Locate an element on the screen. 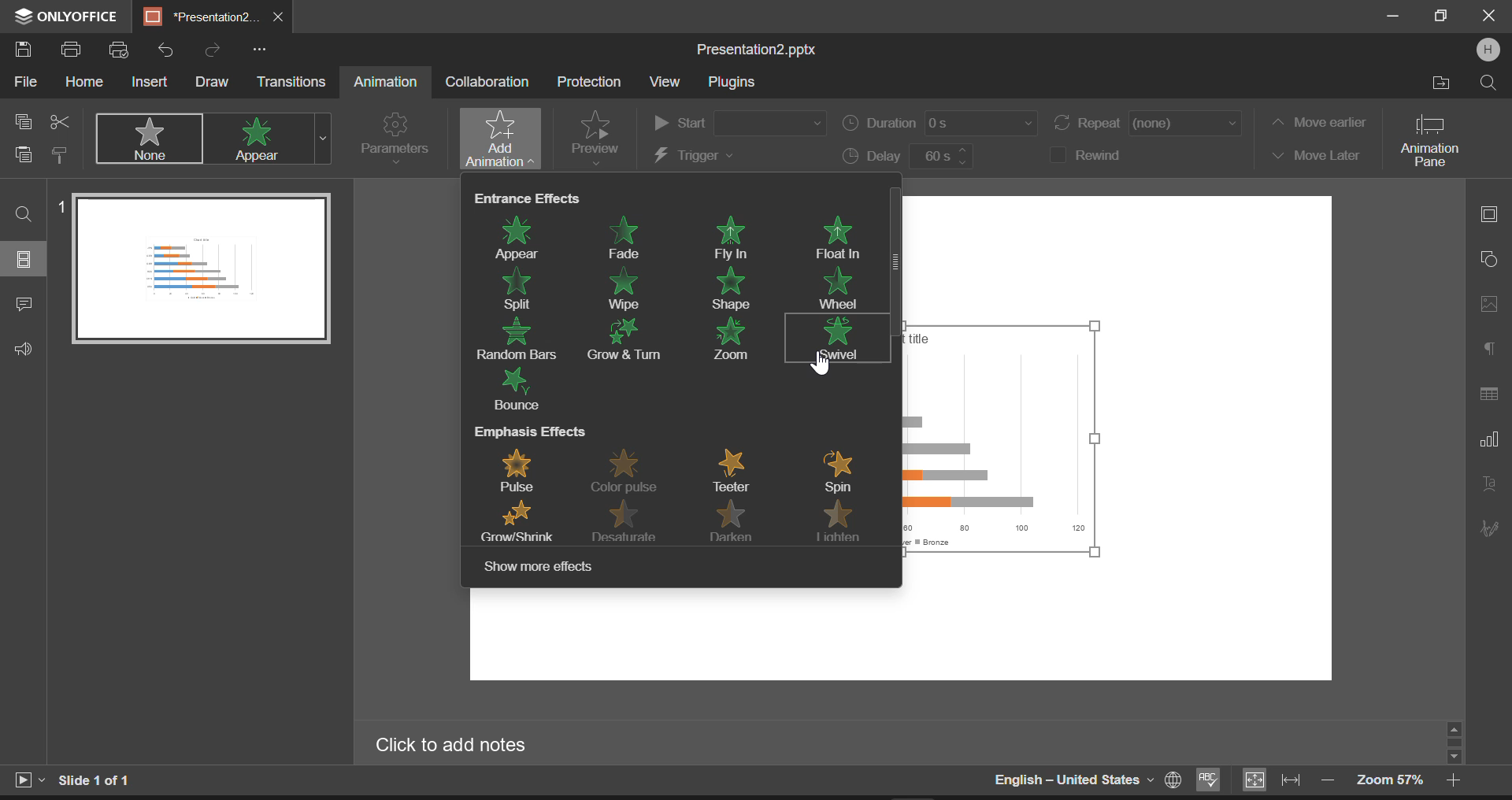 The width and height of the screenshot is (1512, 800). Duration is located at coordinates (941, 126).